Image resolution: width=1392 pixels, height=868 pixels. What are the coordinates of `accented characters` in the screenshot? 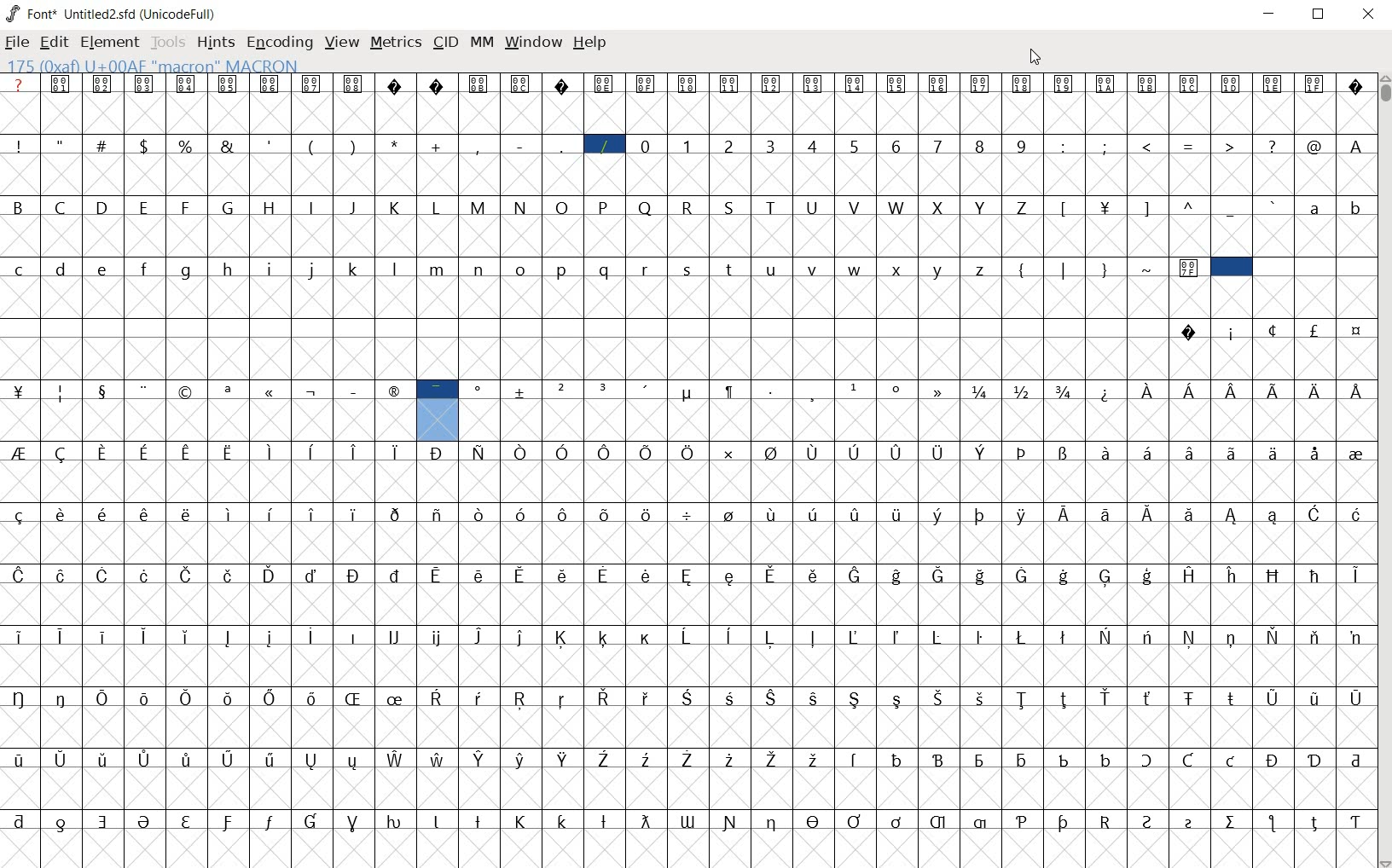 It's located at (335, 716).